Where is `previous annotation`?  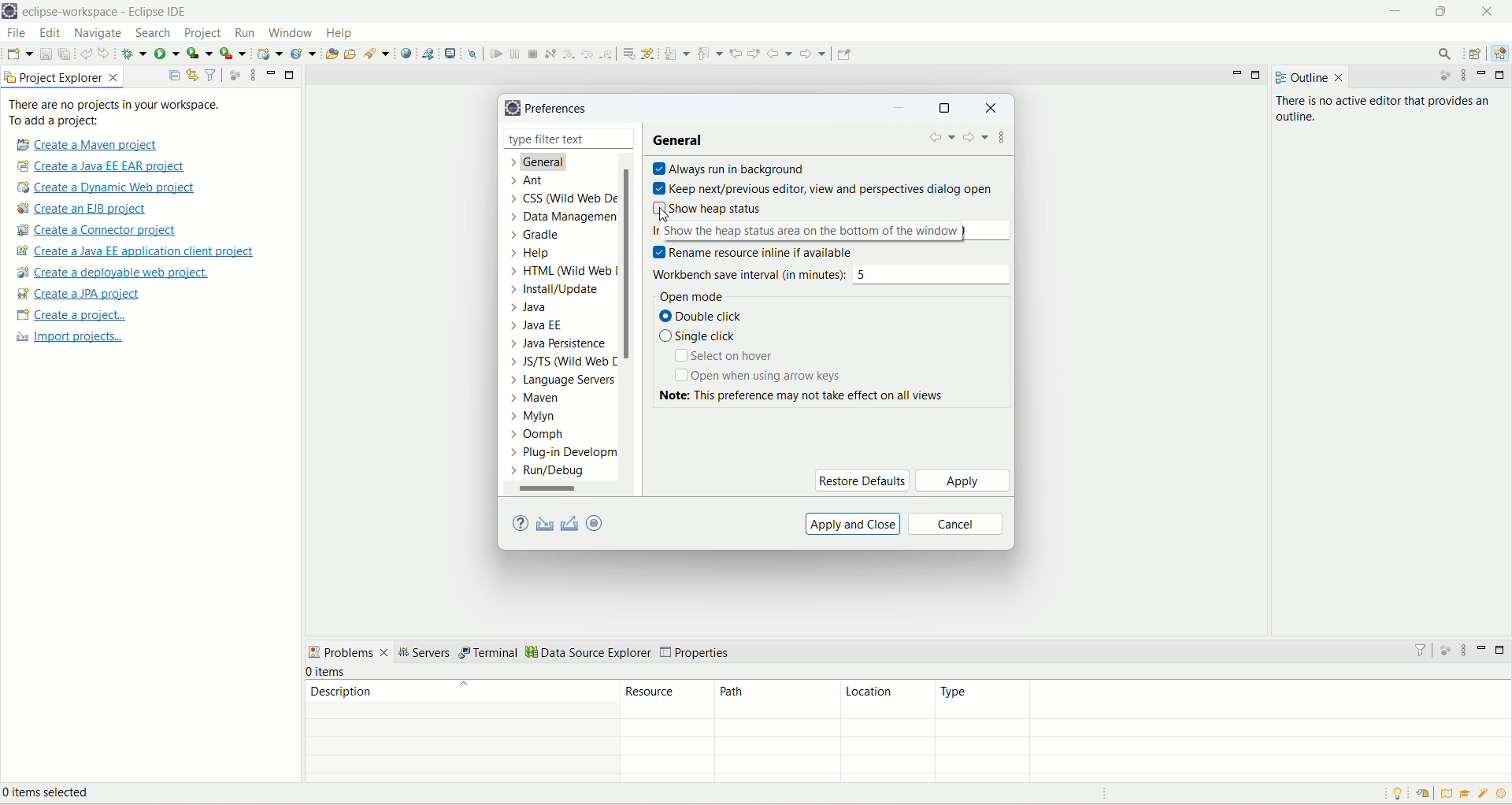 previous annotation is located at coordinates (710, 53).